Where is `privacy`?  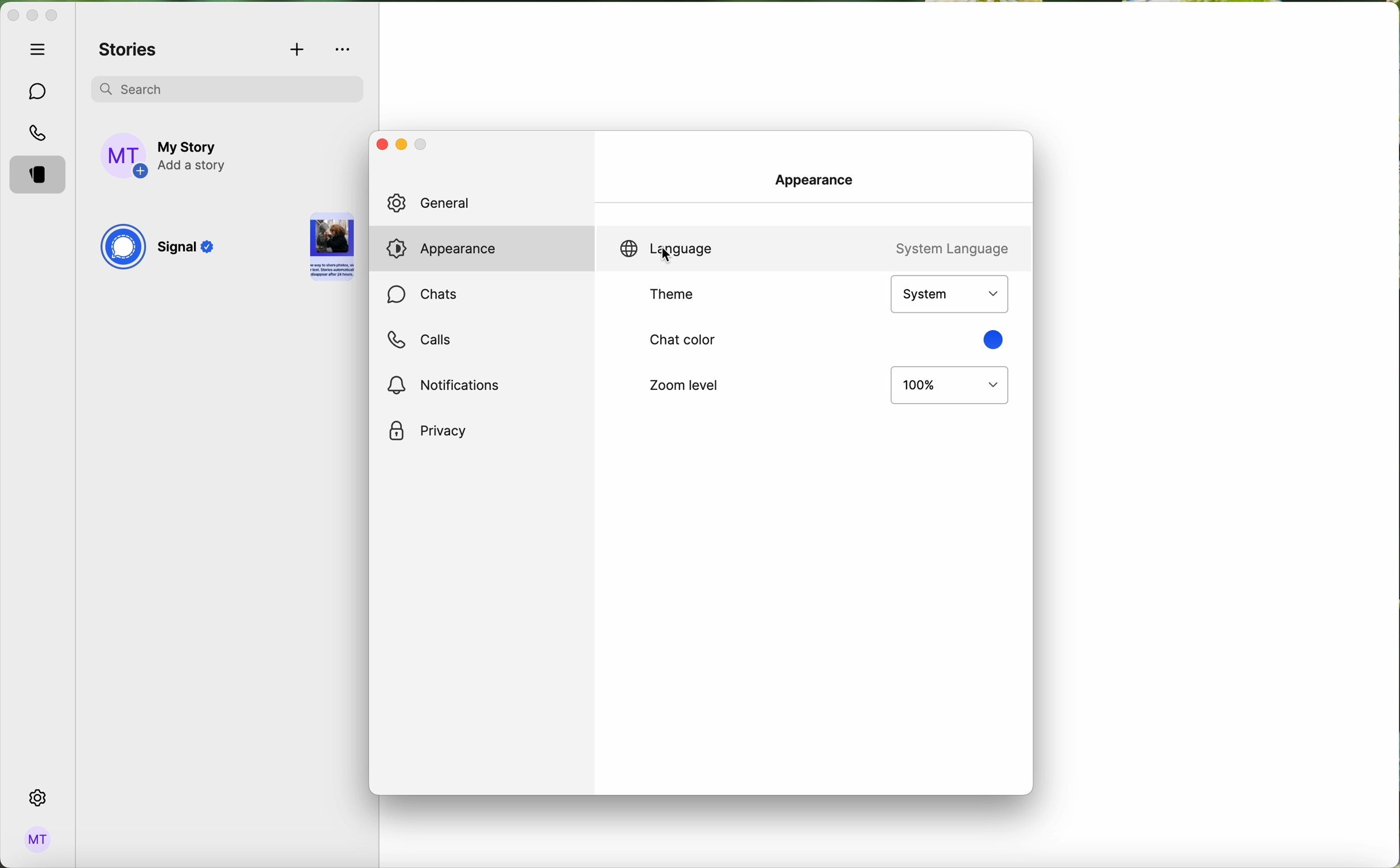
privacy is located at coordinates (428, 432).